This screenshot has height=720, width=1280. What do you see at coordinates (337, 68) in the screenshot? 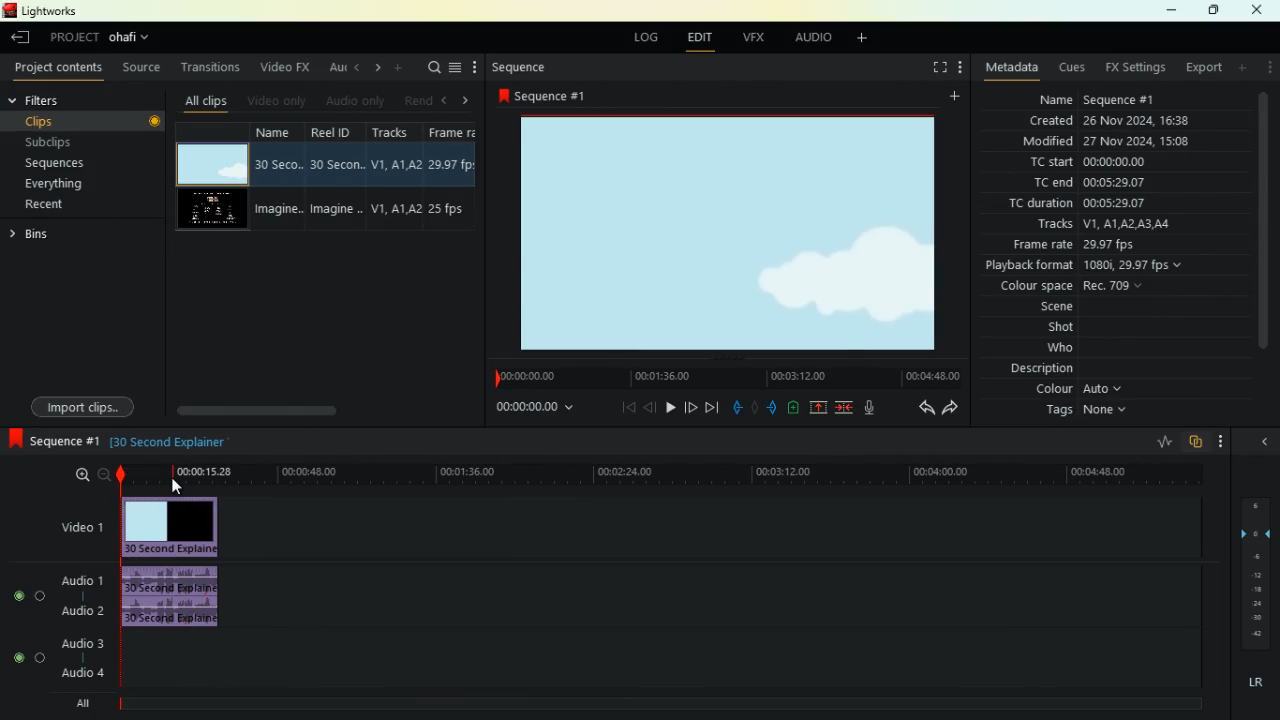
I see `au` at bounding box center [337, 68].